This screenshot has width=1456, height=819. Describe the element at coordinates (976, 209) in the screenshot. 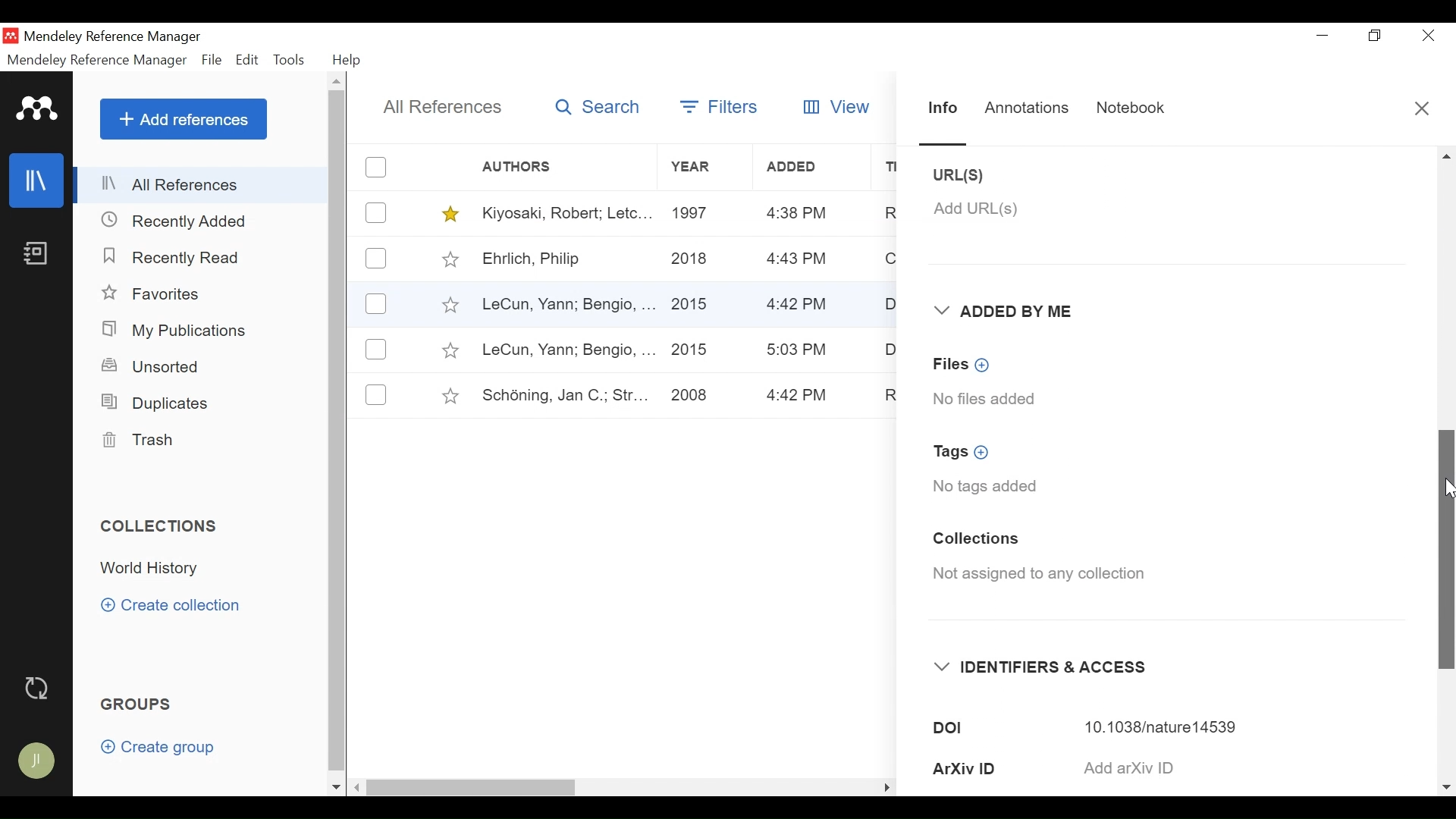

I see `Add URL(S)` at that location.